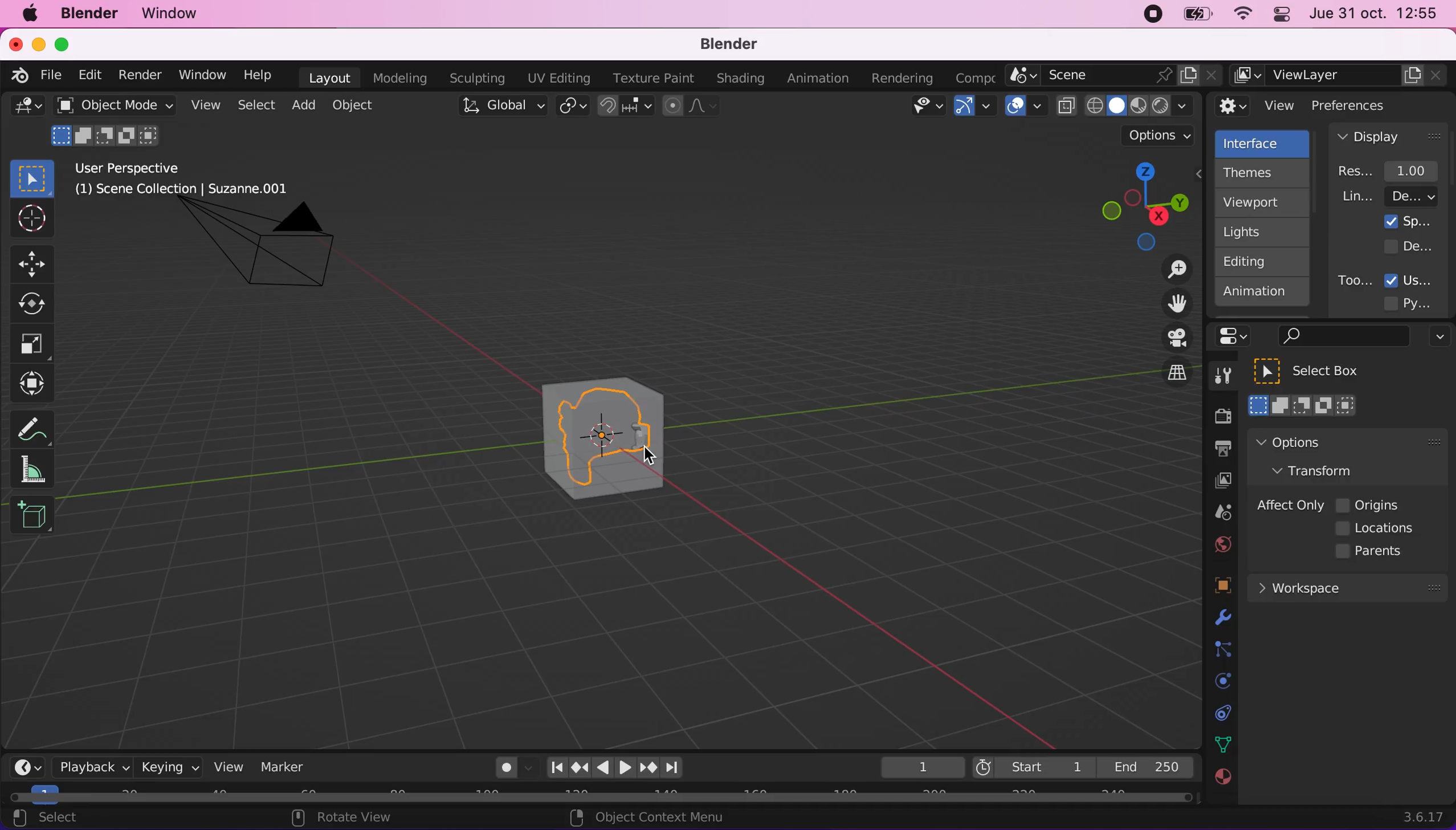 The image size is (1456, 830). What do you see at coordinates (507, 771) in the screenshot?
I see `autokeying` at bounding box center [507, 771].